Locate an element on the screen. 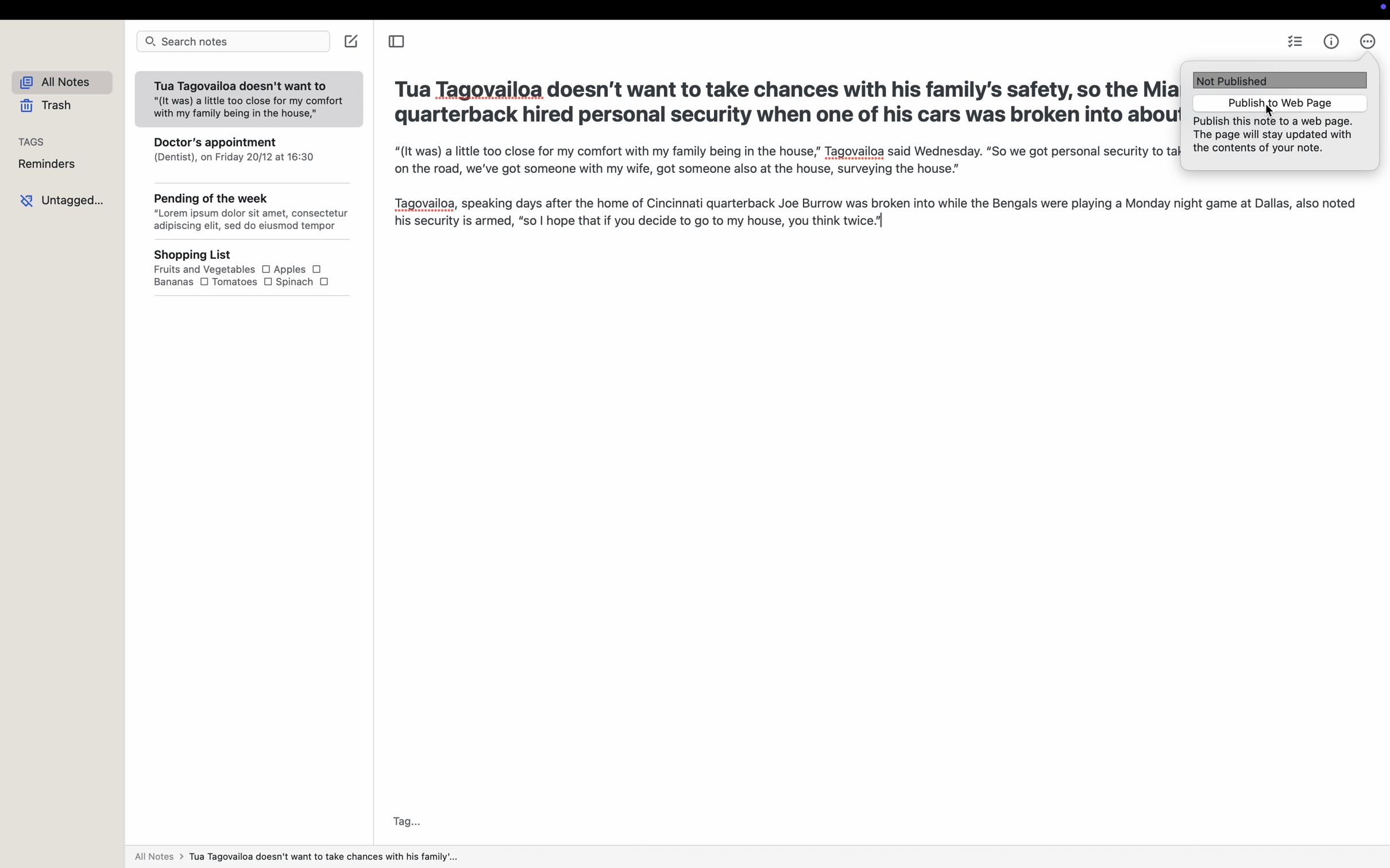 The width and height of the screenshot is (1390, 868). click on more options is located at coordinates (1368, 42).